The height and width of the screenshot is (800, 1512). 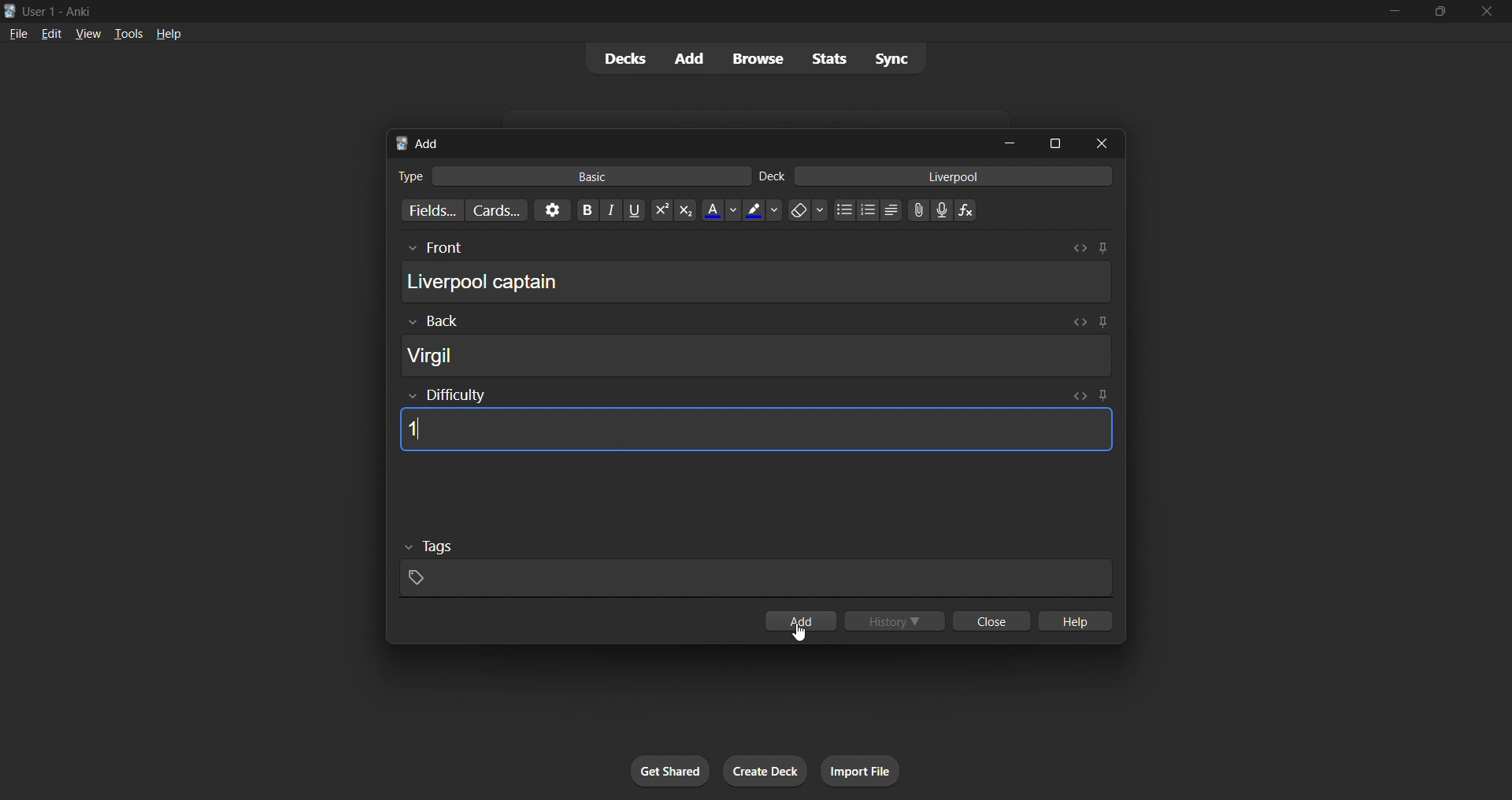 I want to click on Show/Hide Difficulty rating input box, so click(x=447, y=395).